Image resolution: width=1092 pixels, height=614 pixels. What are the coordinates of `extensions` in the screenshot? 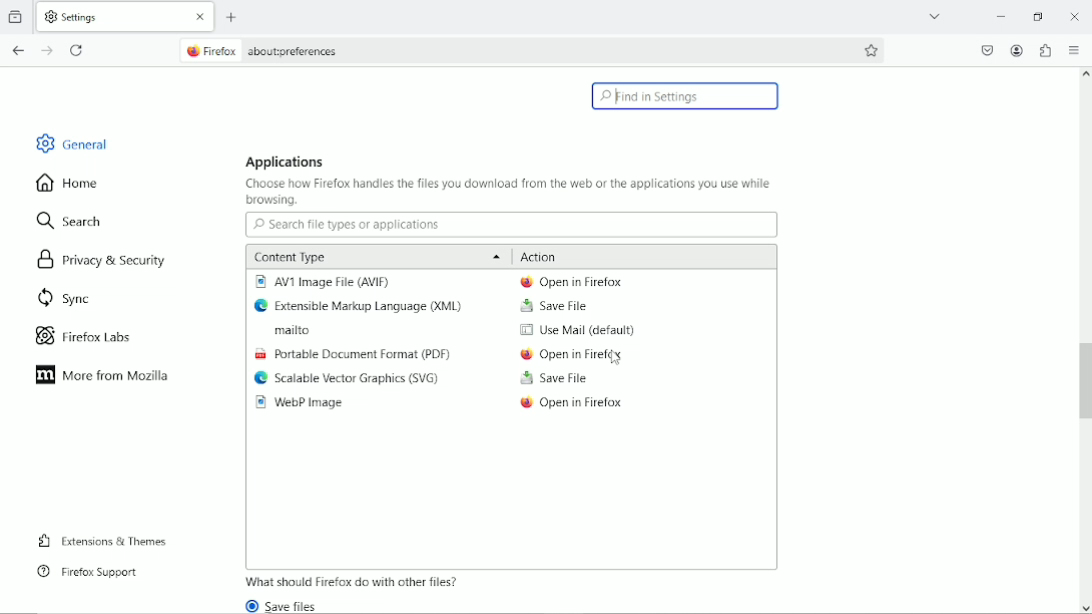 It's located at (1045, 50).